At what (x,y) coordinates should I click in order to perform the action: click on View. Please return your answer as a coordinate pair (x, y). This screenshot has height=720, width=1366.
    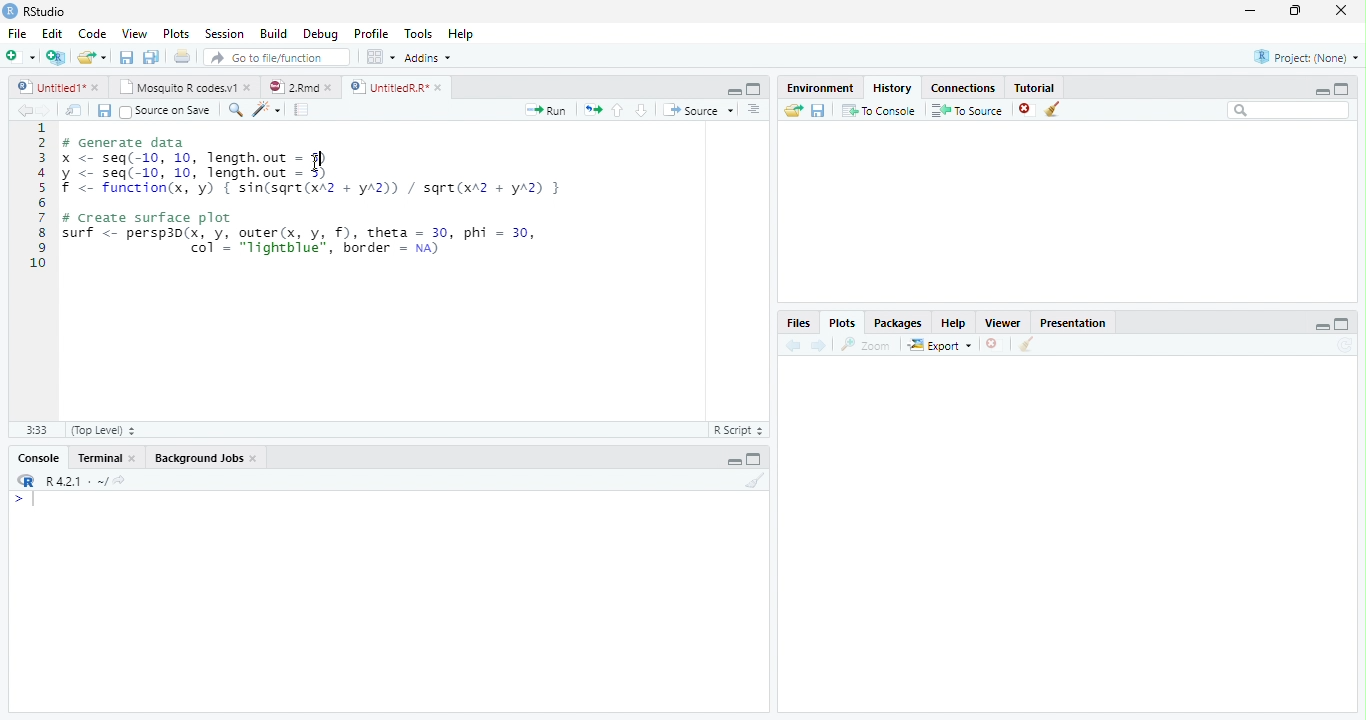
    Looking at the image, I should click on (134, 33).